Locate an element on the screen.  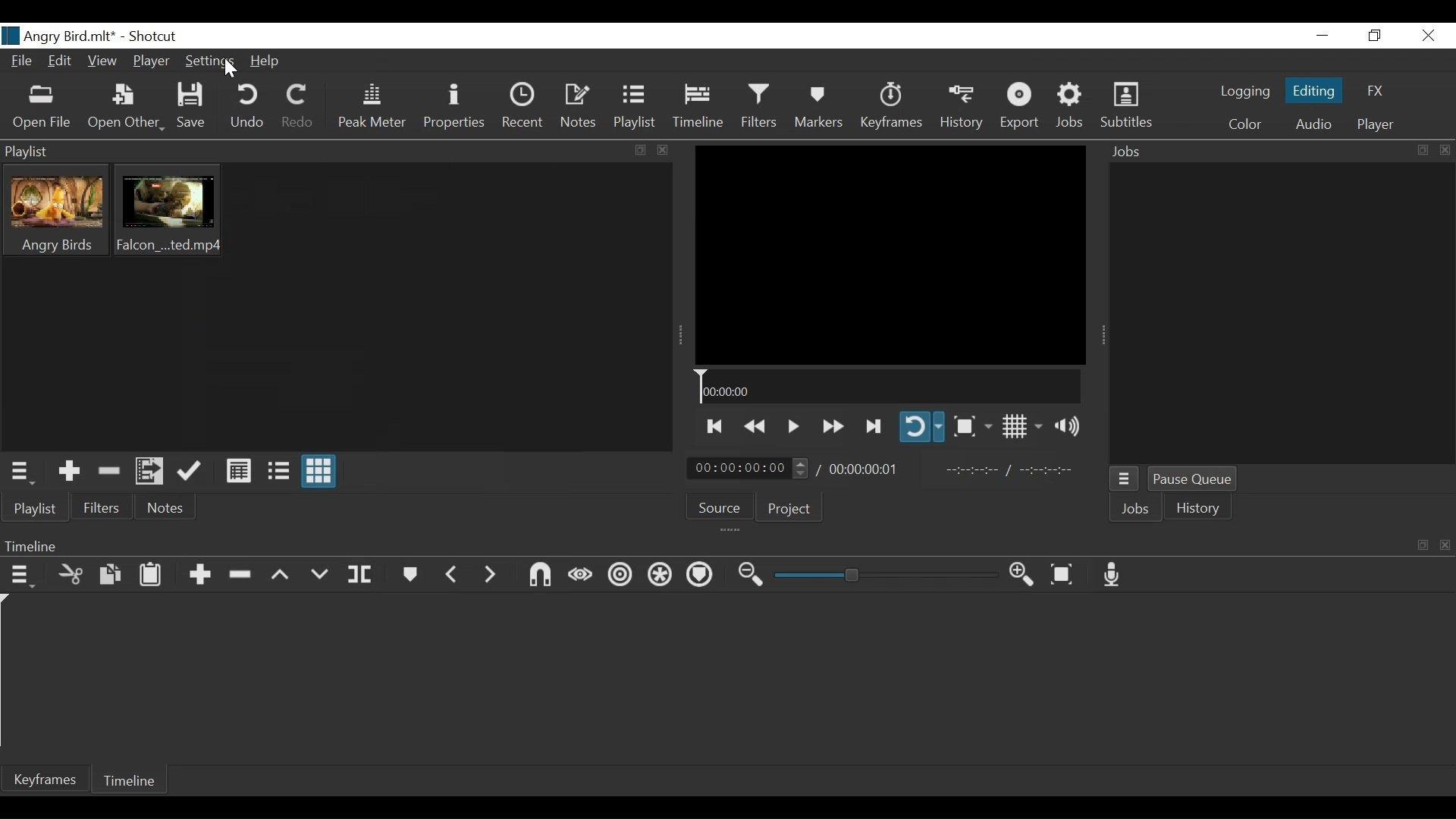
Color is located at coordinates (1245, 124).